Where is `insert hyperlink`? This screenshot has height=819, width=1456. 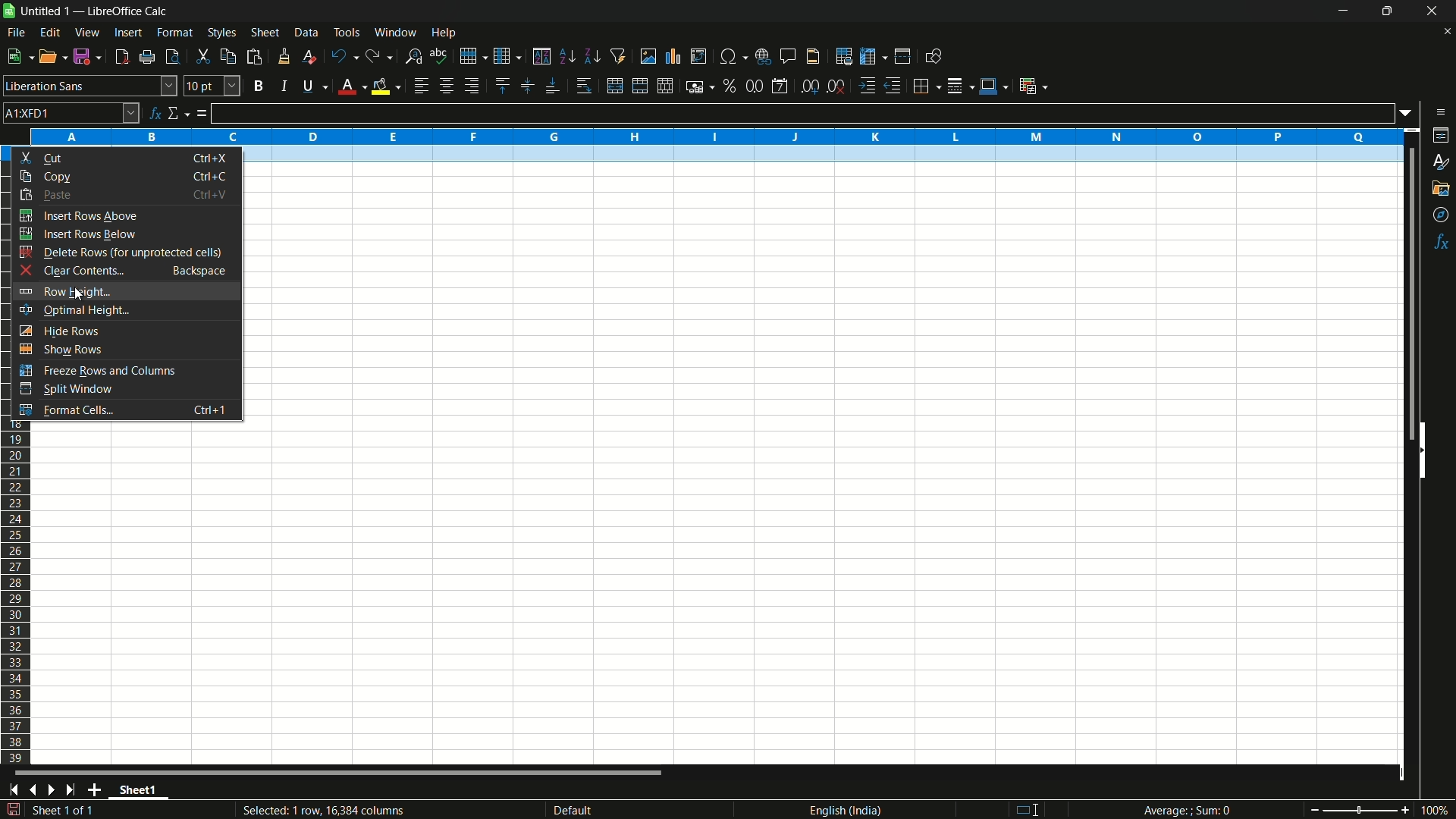 insert hyperlink is located at coordinates (765, 55).